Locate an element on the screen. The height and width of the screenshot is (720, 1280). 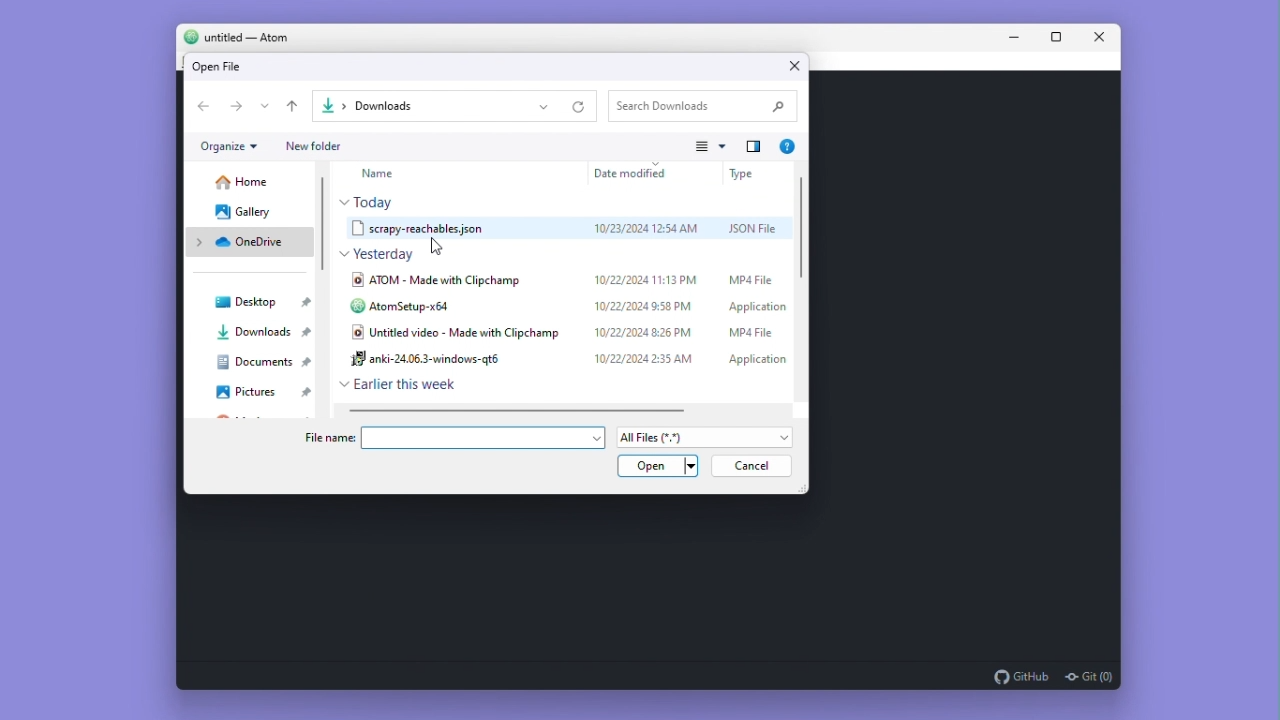
go forward is located at coordinates (235, 107).